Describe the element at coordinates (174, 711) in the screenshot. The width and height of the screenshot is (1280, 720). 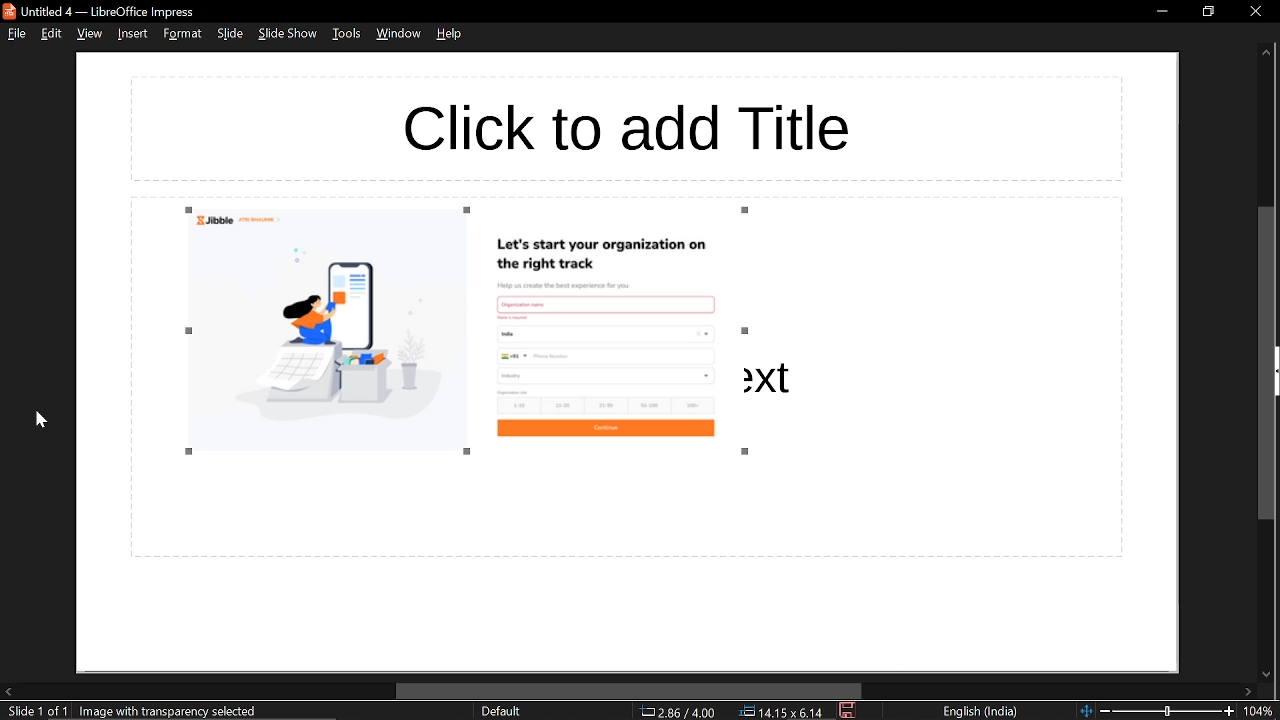
I see `image with transparency selected` at that location.